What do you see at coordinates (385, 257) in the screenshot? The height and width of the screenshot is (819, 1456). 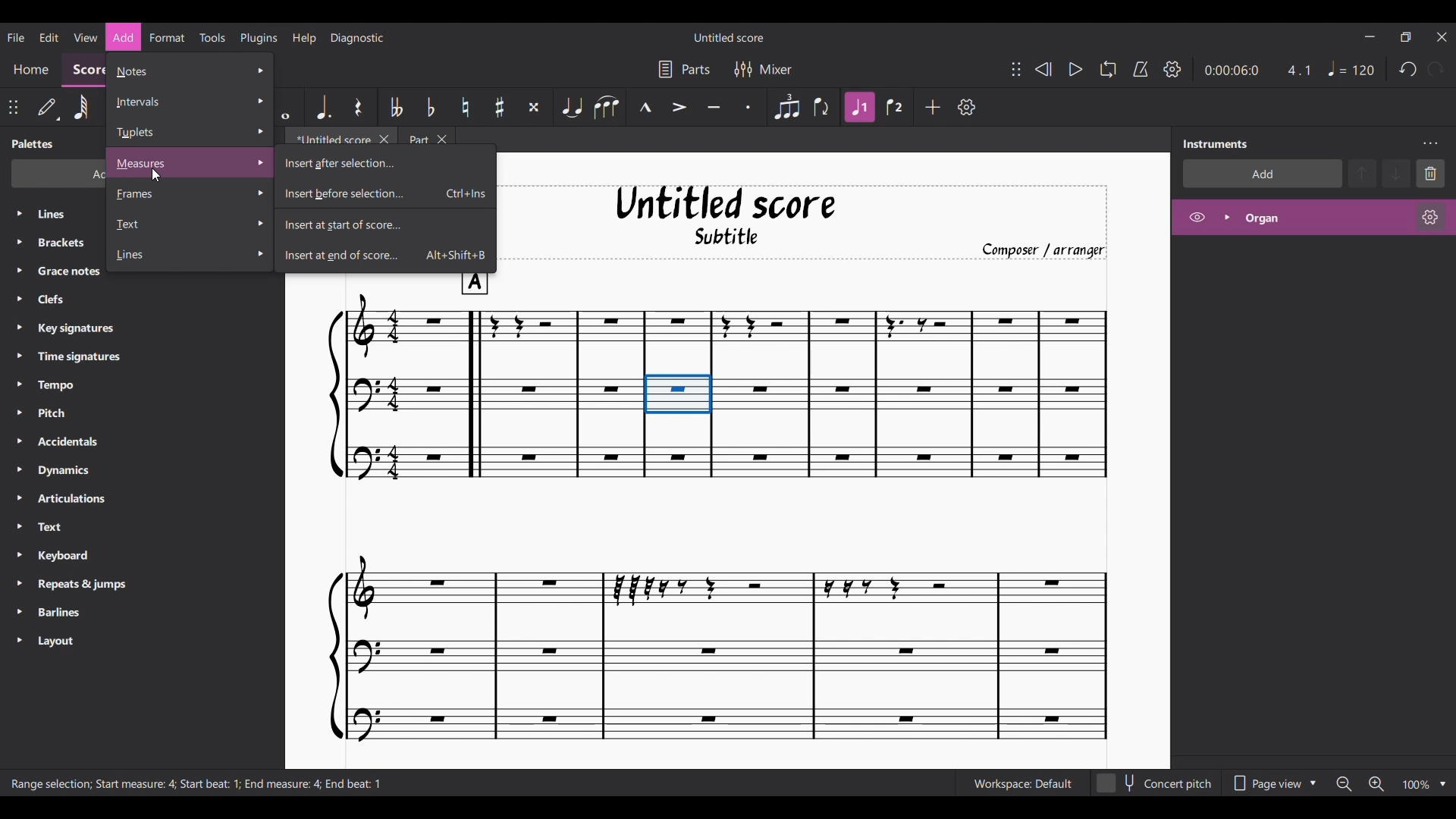 I see `Insert at end of score` at bounding box center [385, 257].